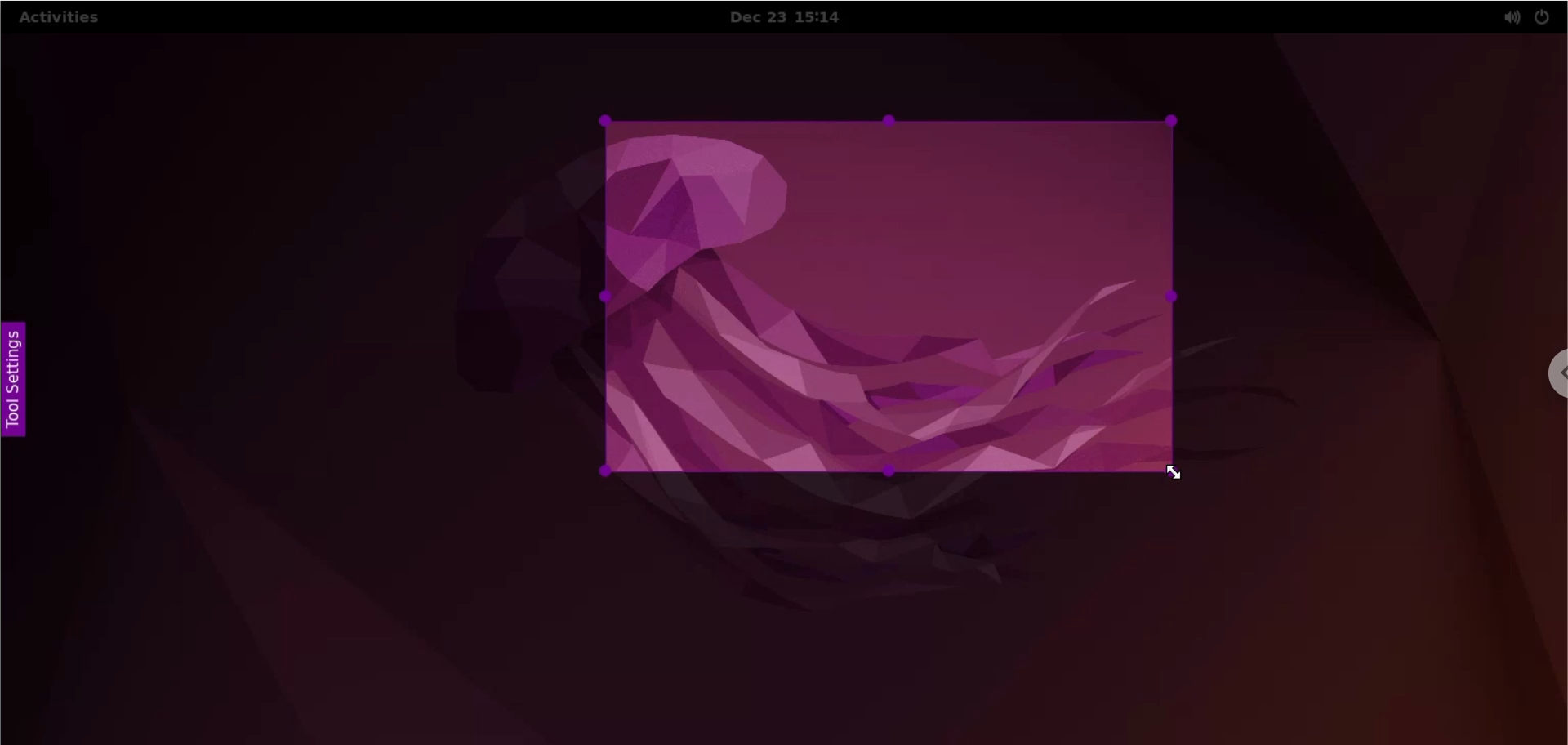 This screenshot has width=1568, height=745. I want to click on selected area, so click(886, 297).